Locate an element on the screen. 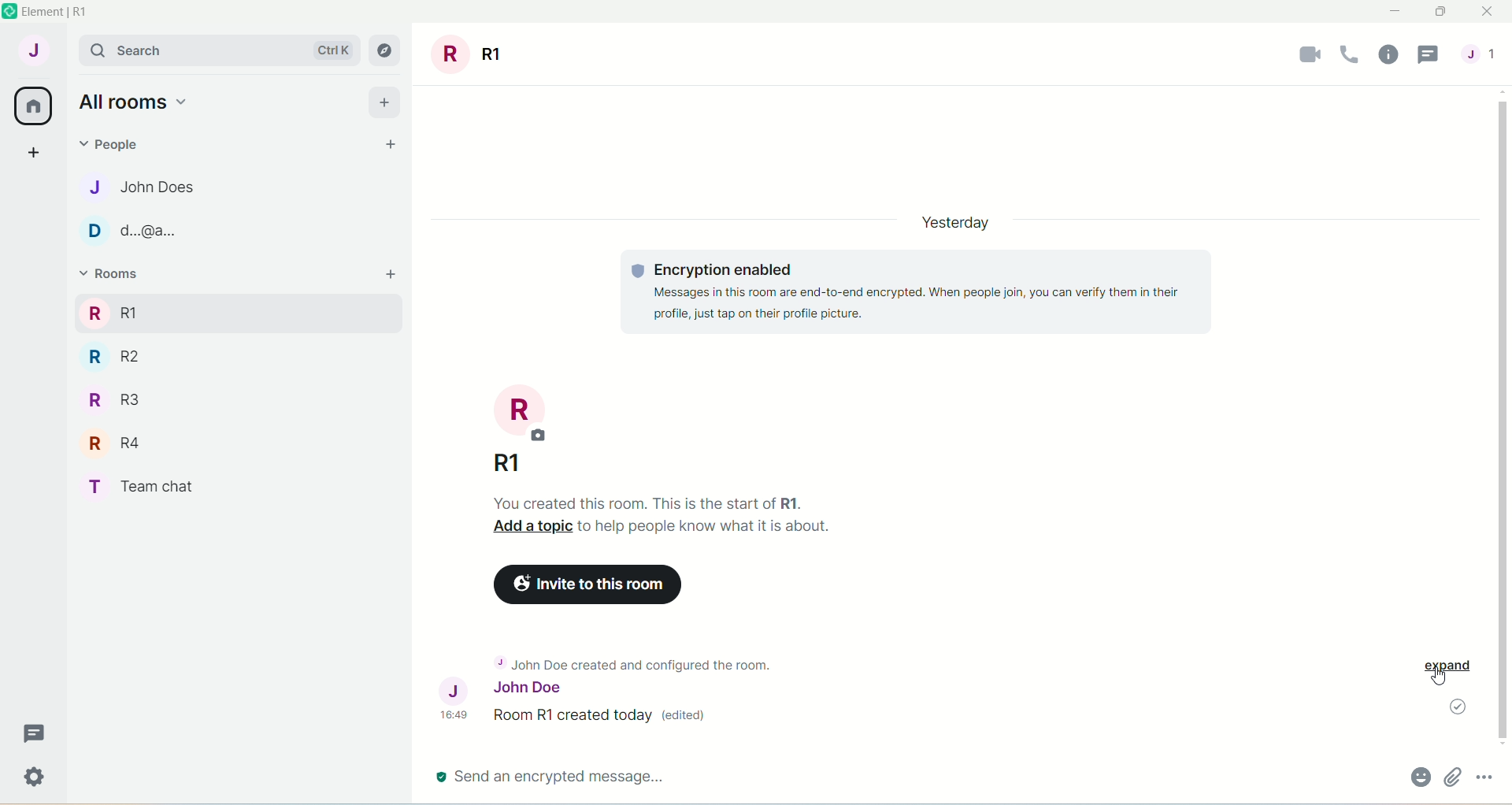 This screenshot has height=805, width=1512. start chat is located at coordinates (394, 143).